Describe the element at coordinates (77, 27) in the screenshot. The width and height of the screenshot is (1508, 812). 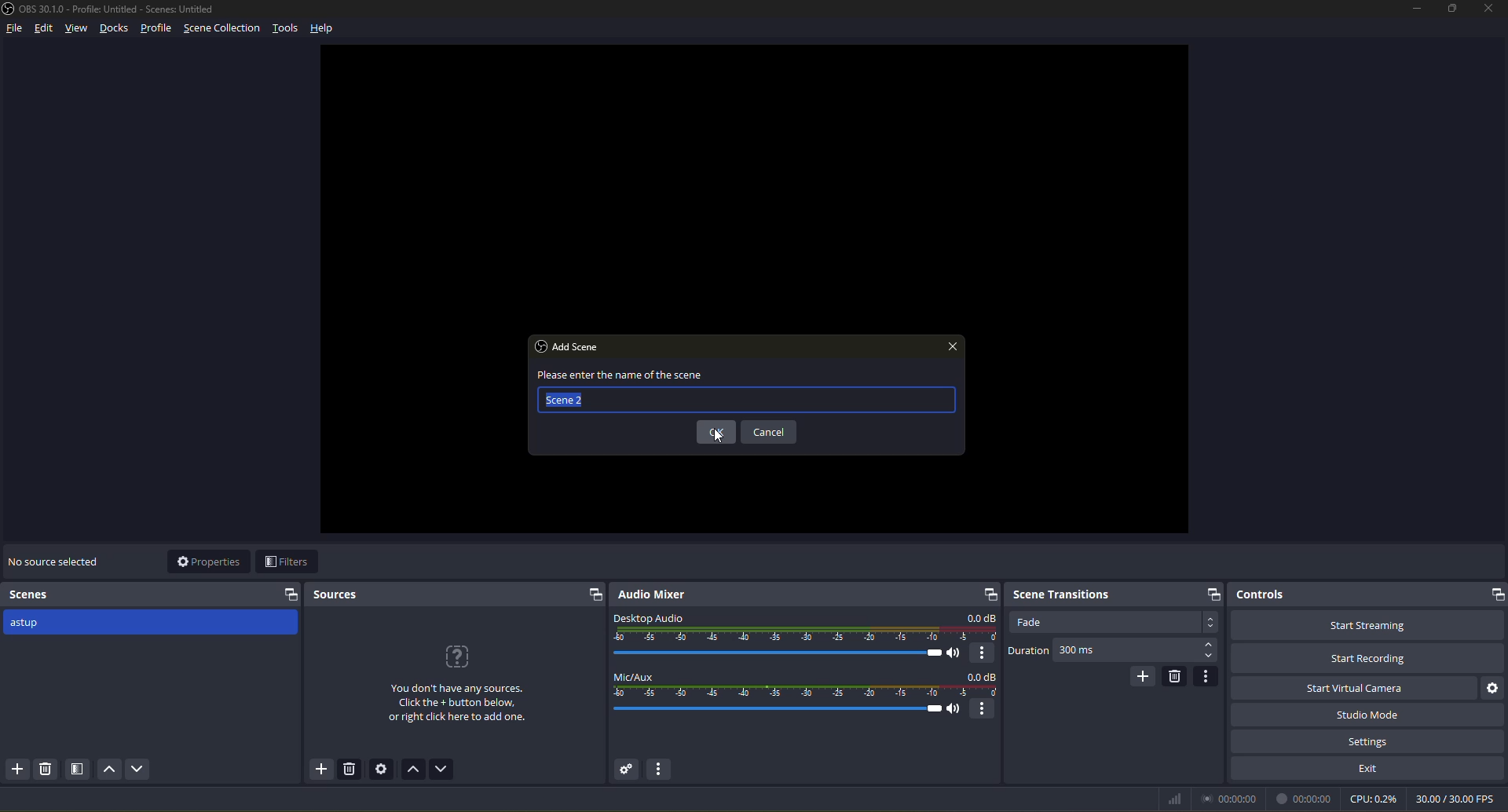
I see `view` at that location.